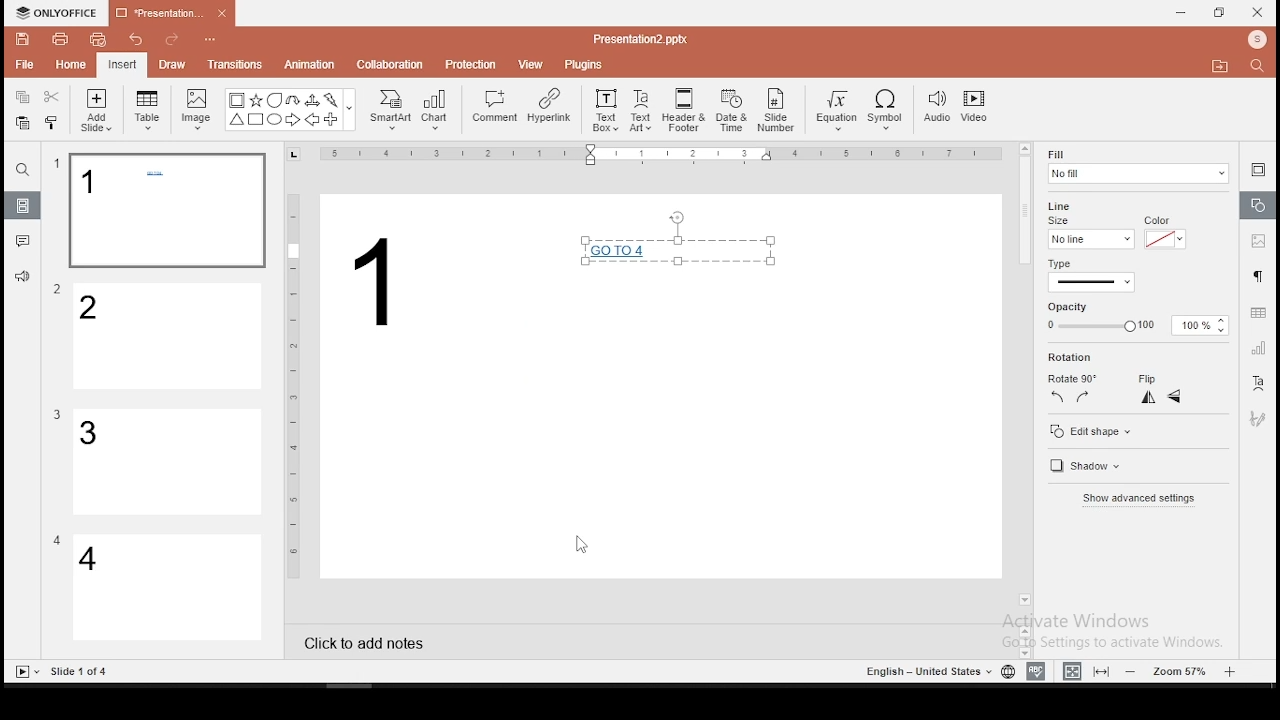 This screenshot has height=720, width=1280. Describe the element at coordinates (548, 105) in the screenshot. I see `hyperlink` at that location.